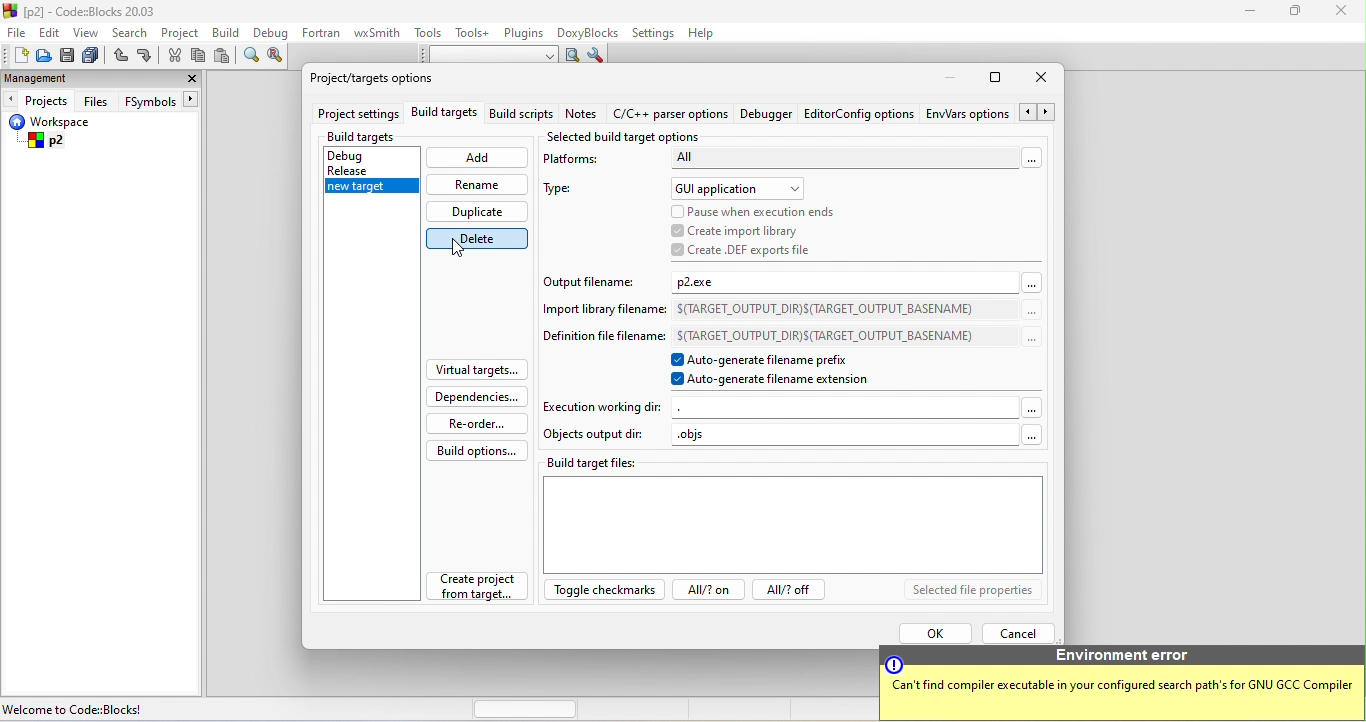 The image size is (1366, 722). Describe the element at coordinates (789, 336) in the screenshot. I see `Definition file filename: S(TARGET_OUTPUT_DIR)S(TARGET_OUTPUT_BASENAME)` at that location.